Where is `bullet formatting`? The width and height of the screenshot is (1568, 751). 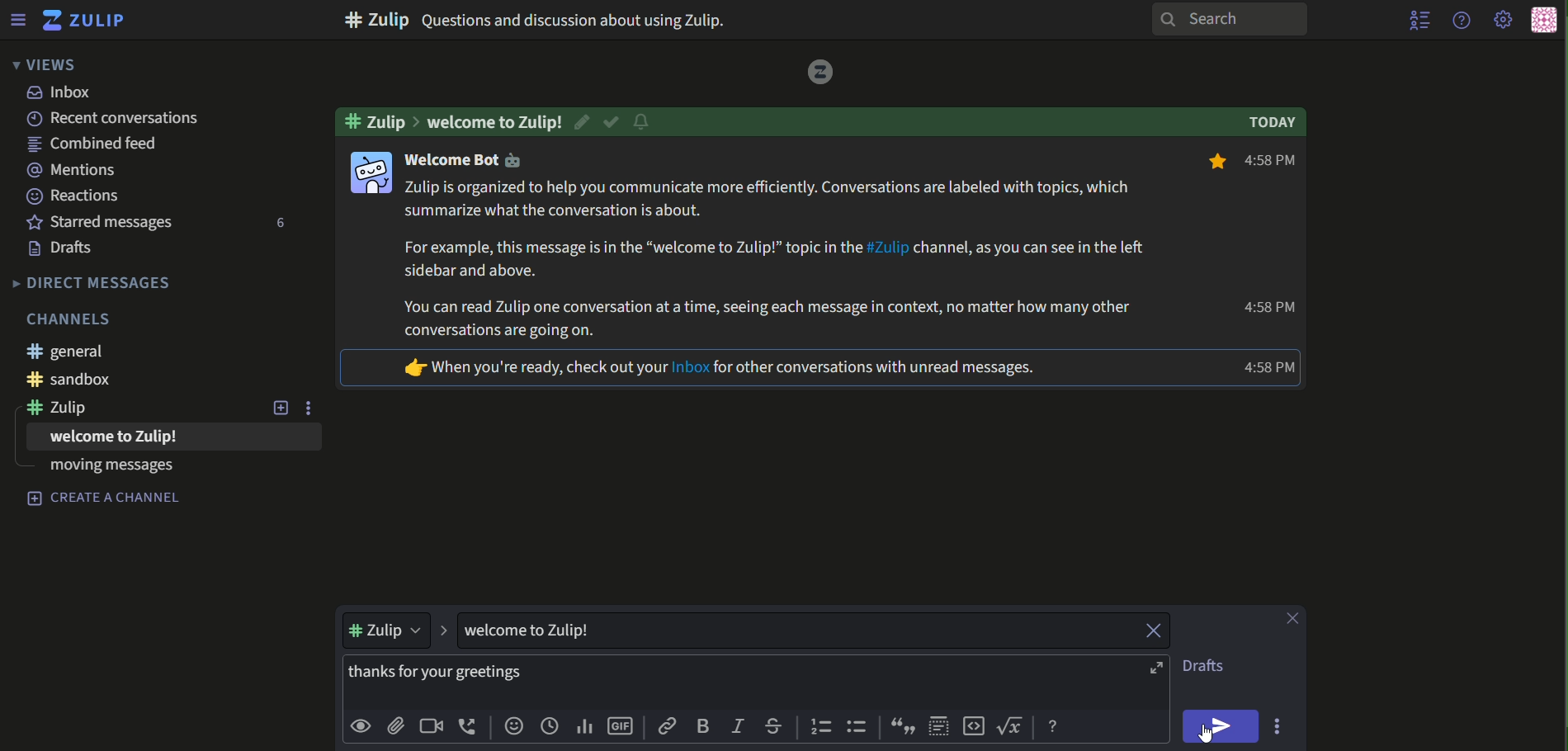 bullet formatting is located at coordinates (858, 728).